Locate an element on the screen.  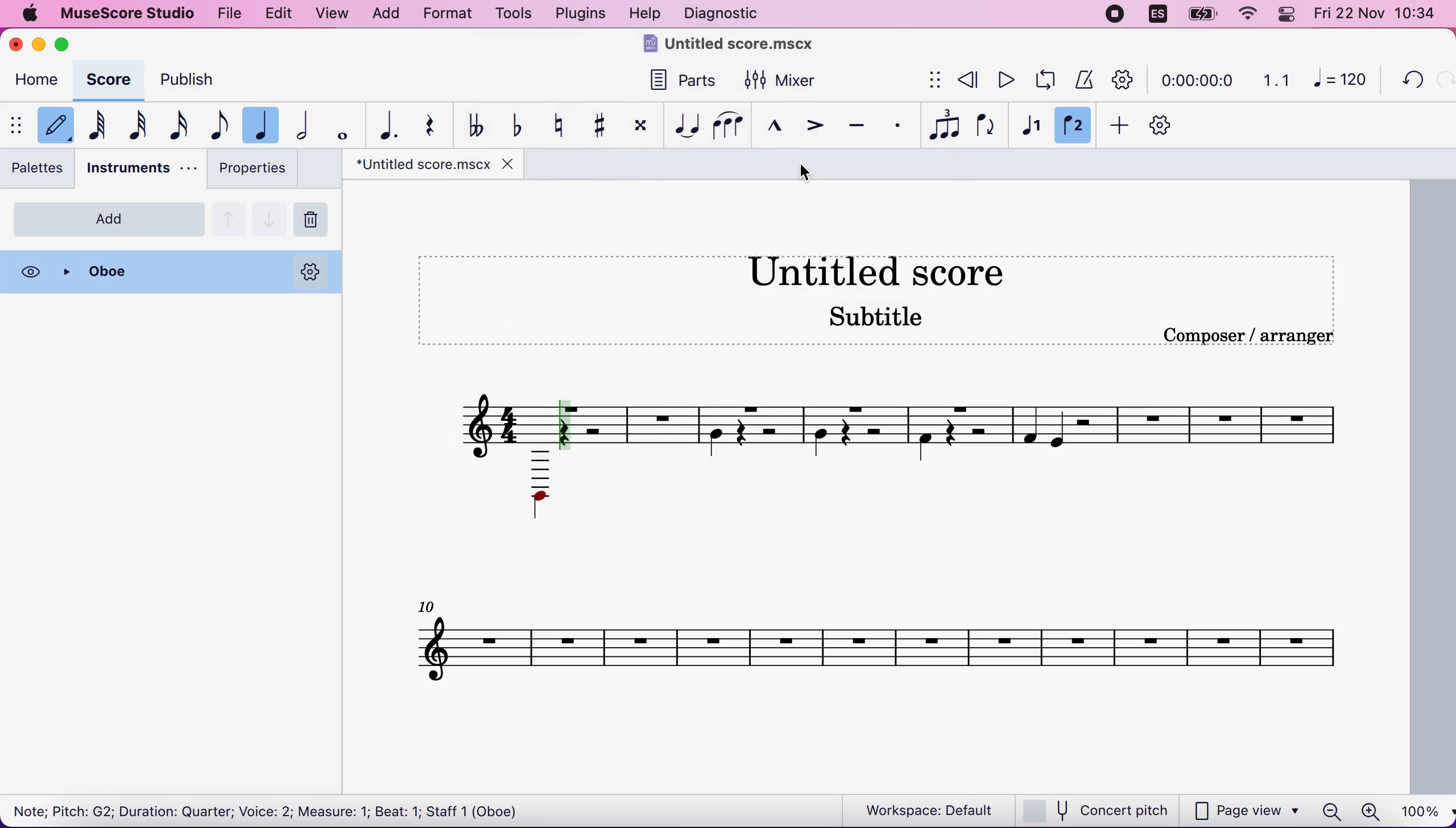
format is located at coordinates (450, 14).